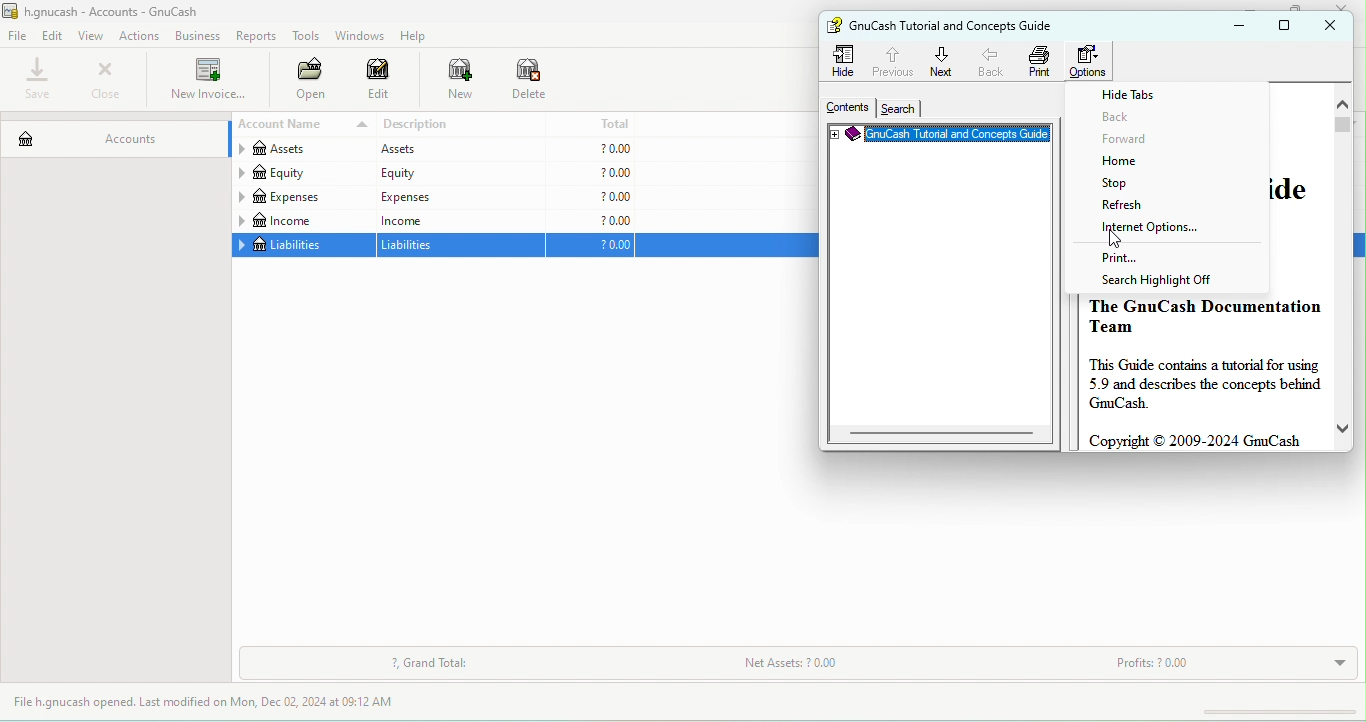 The height and width of the screenshot is (722, 1366). What do you see at coordinates (143, 36) in the screenshot?
I see `actions` at bounding box center [143, 36].